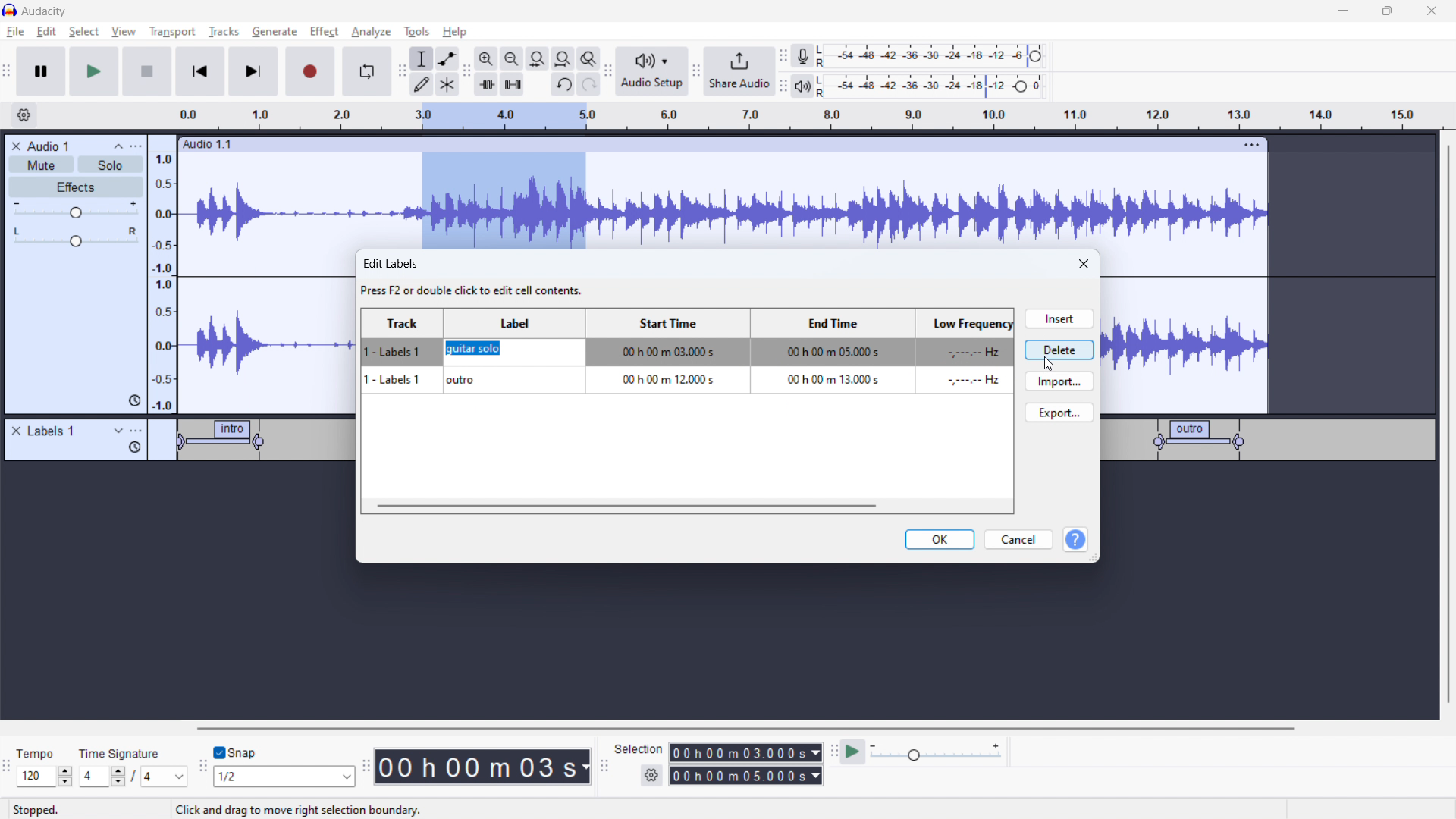 The height and width of the screenshot is (819, 1456). What do you see at coordinates (563, 86) in the screenshot?
I see `undo` at bounding box center [563, 86].